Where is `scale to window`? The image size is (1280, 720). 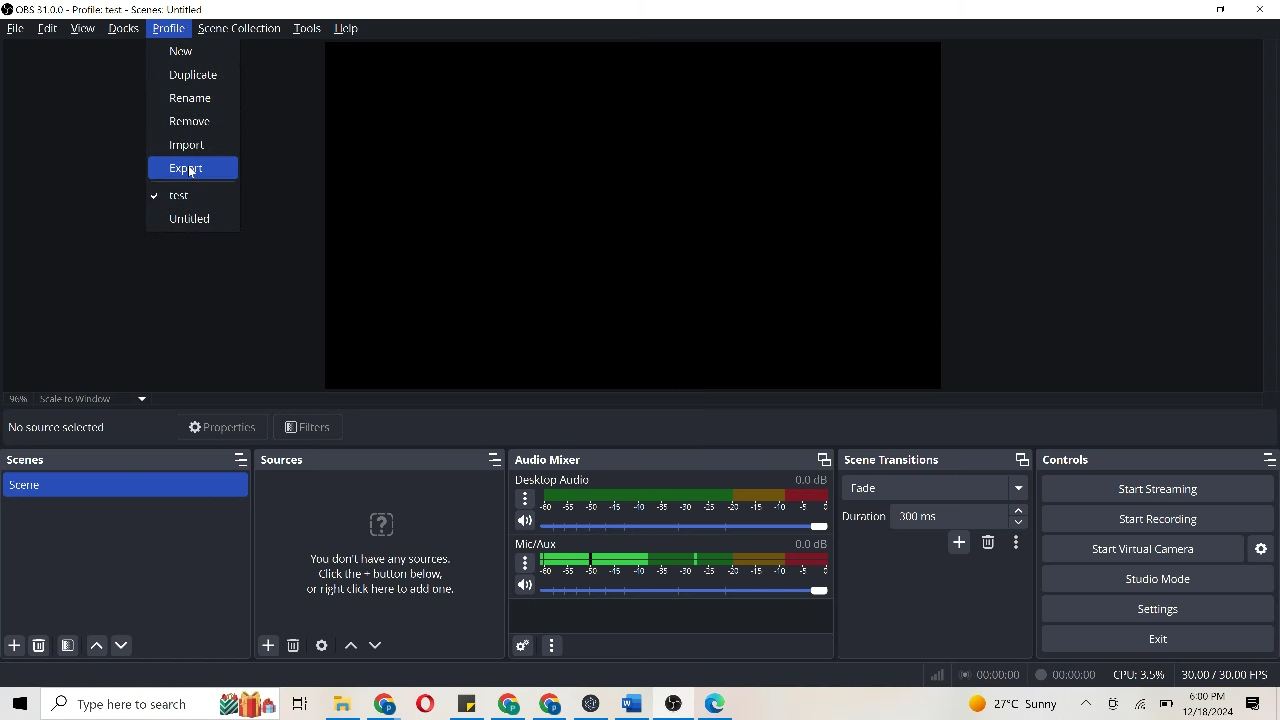 scale to window is located at coordinates (92, 402).